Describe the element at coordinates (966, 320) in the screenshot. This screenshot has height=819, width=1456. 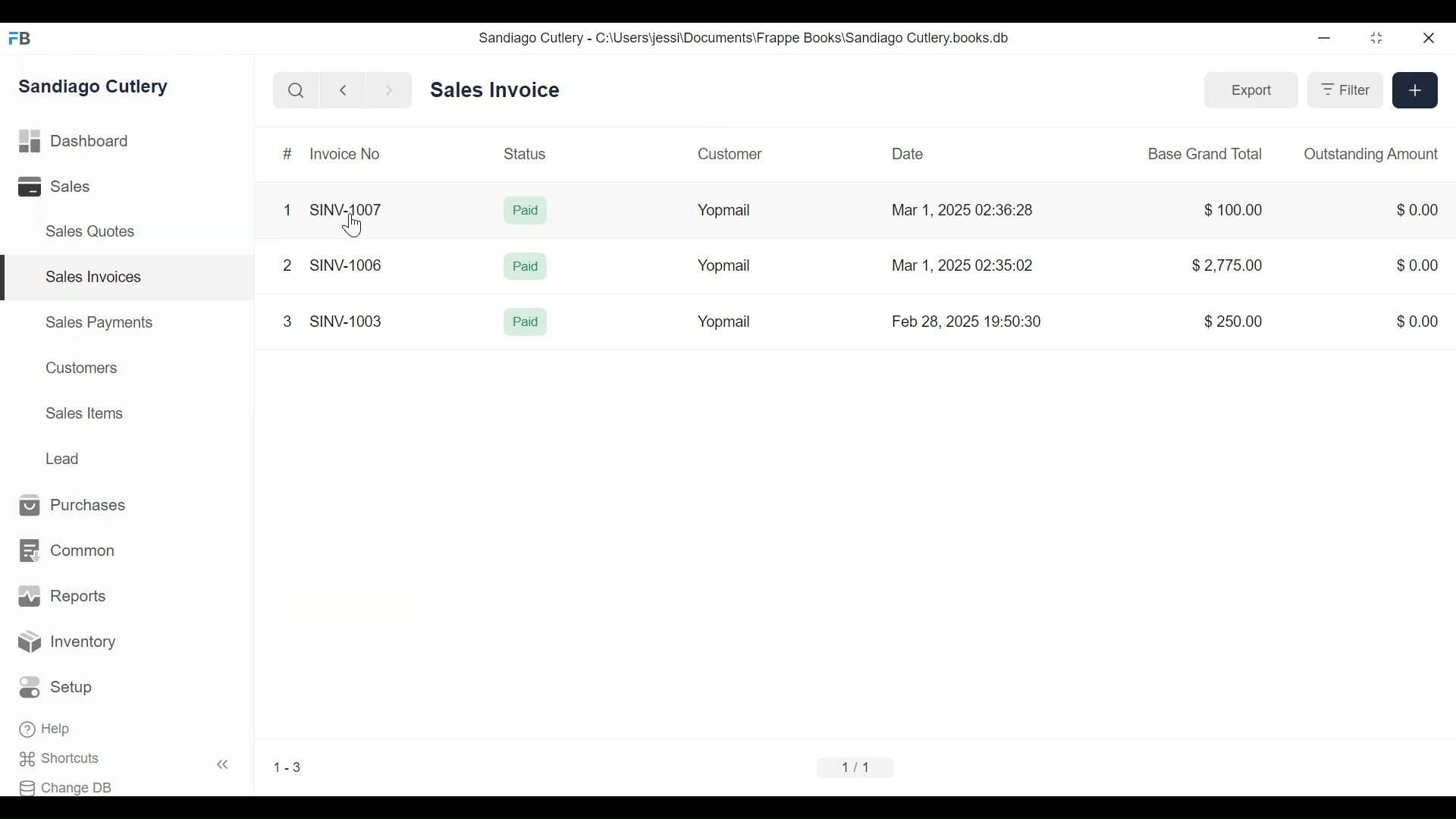
I see `Feb 28, 2025 19:50:30` at that location.